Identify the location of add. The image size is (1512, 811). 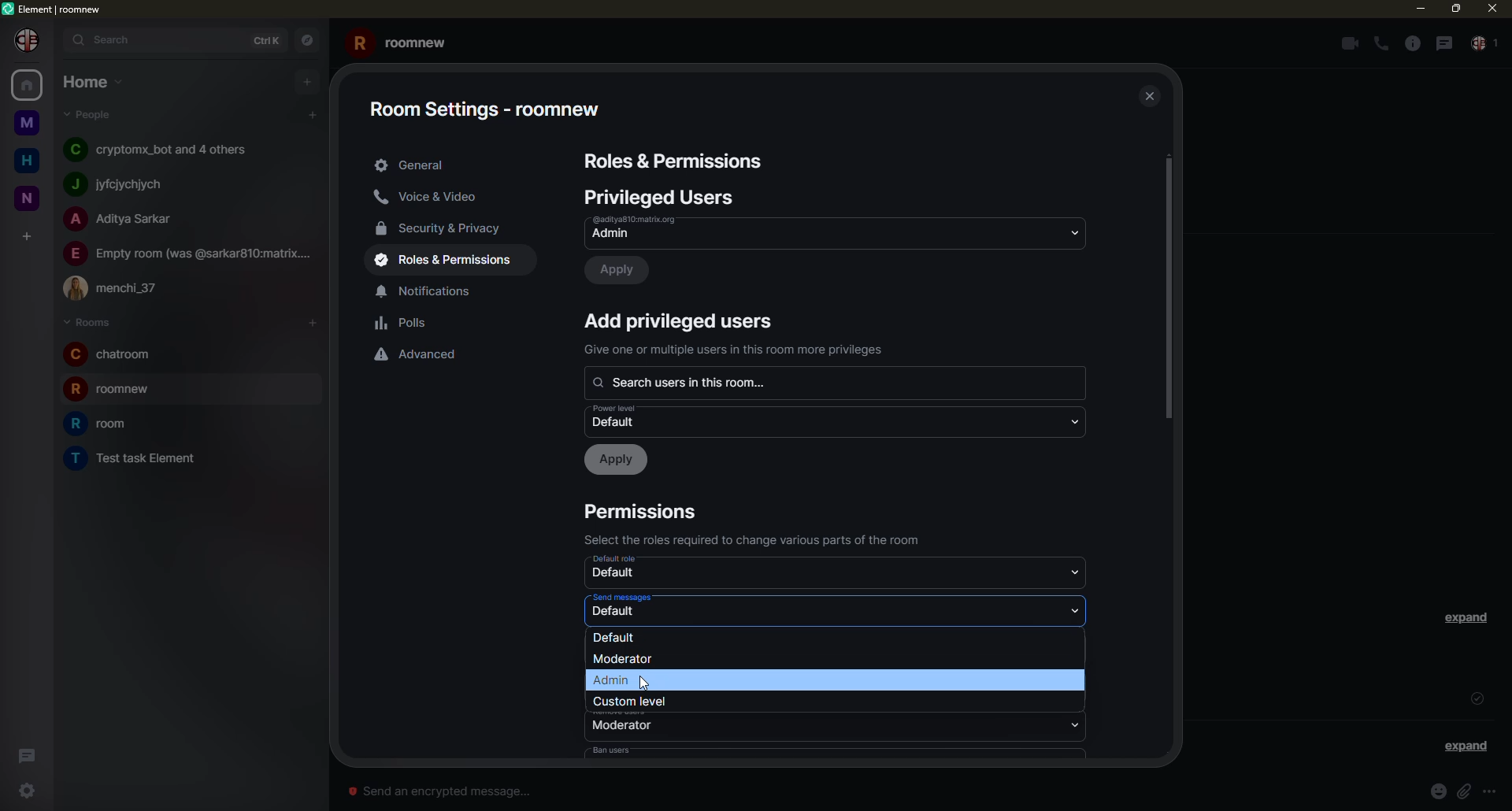
(29, 235).